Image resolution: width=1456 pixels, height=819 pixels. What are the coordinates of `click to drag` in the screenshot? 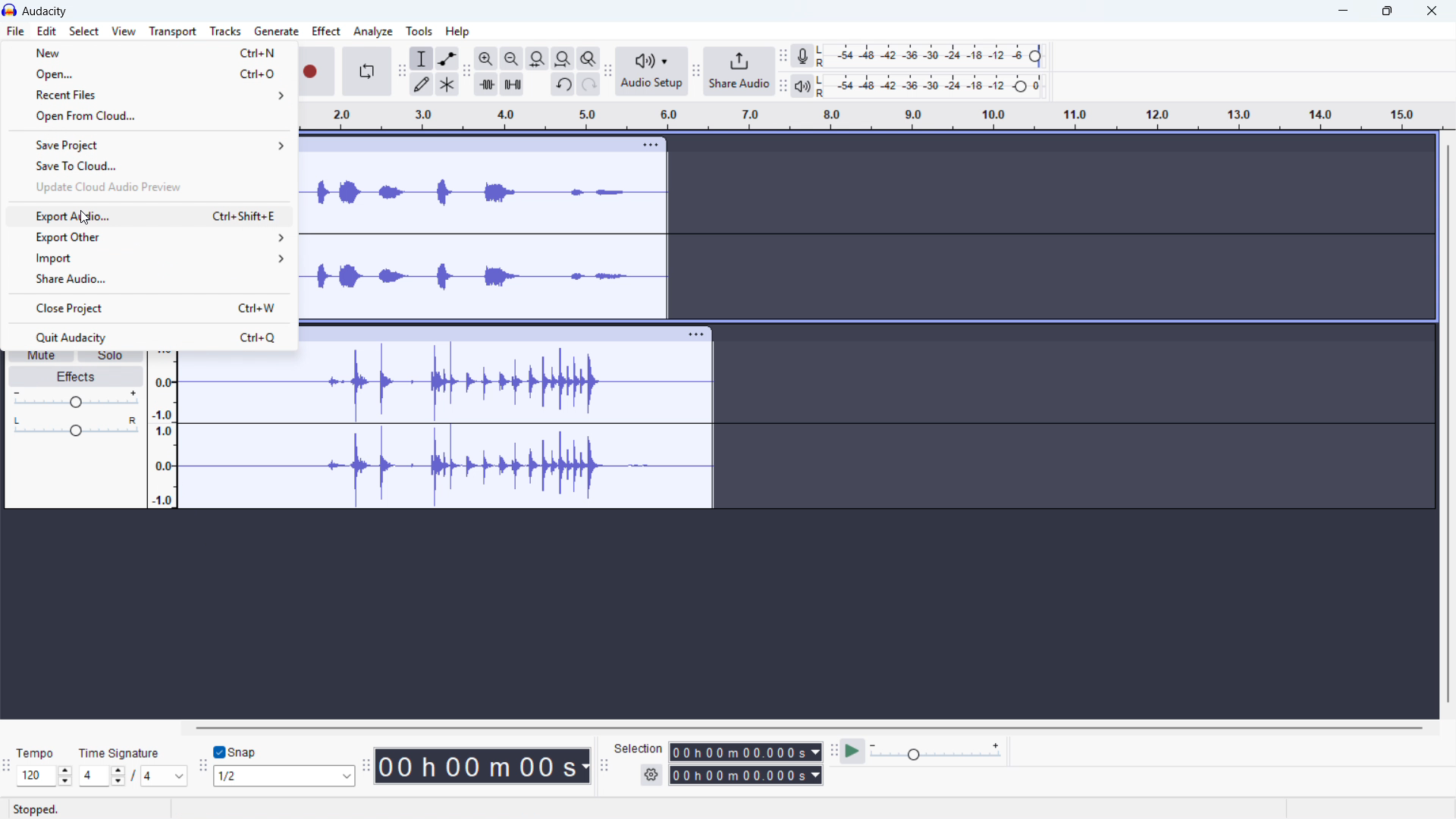 It's located at (487, 334).